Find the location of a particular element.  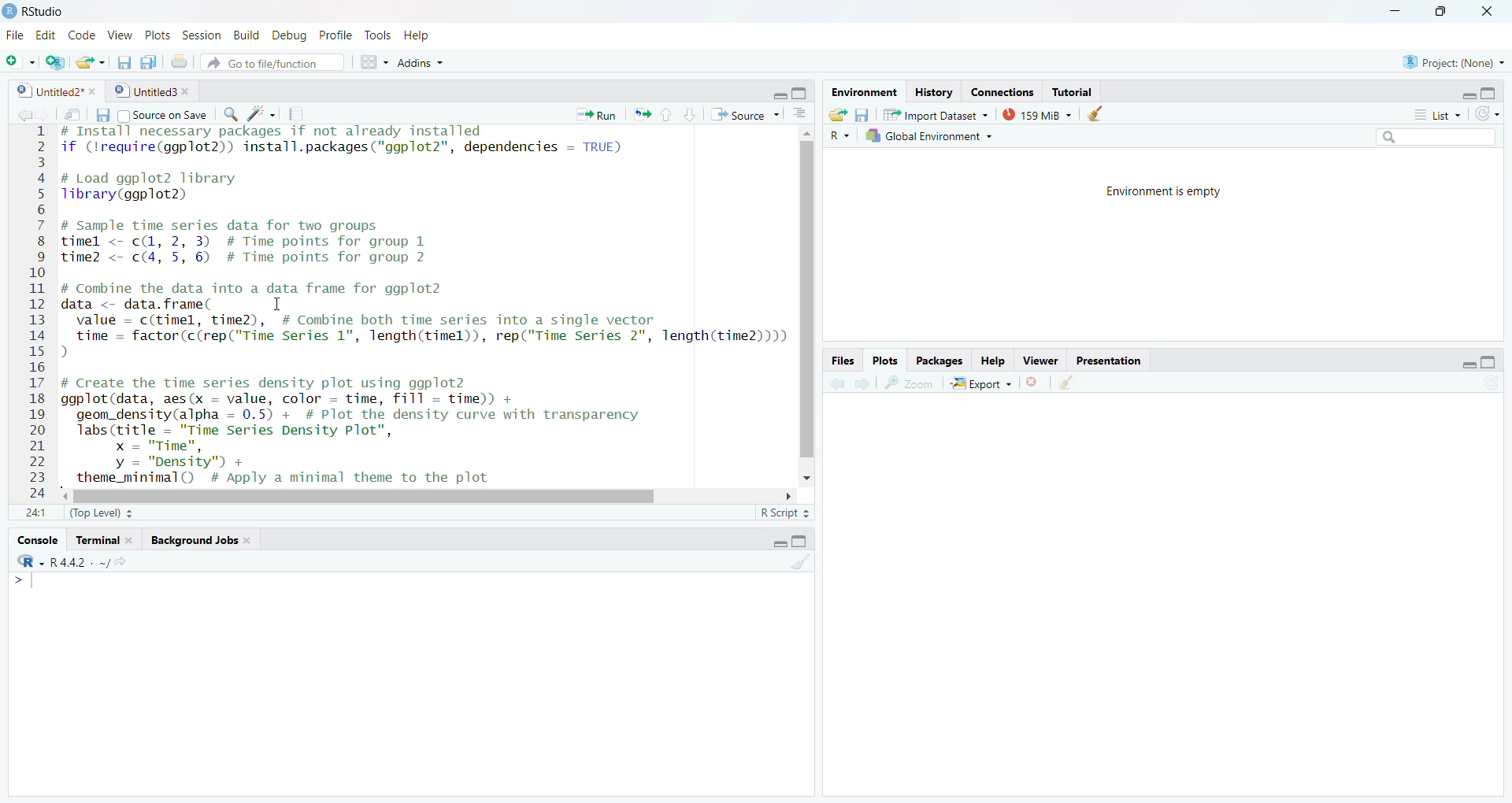

Minimize is located at coordinates (780, 93).